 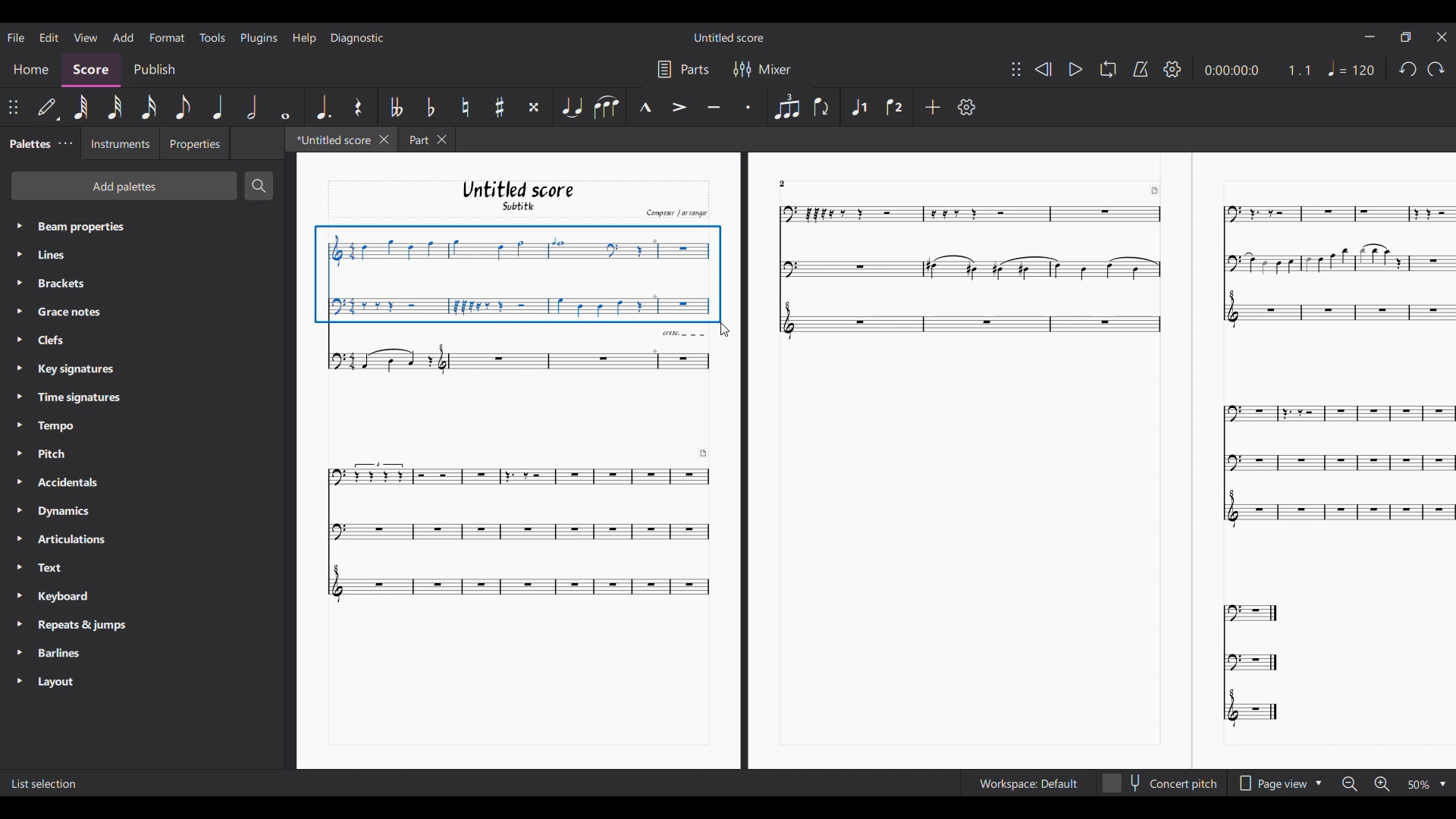 What do you see at coordinates (183, 107) in the screenshot?
I see `8th note` at bounding box center [183, 107].